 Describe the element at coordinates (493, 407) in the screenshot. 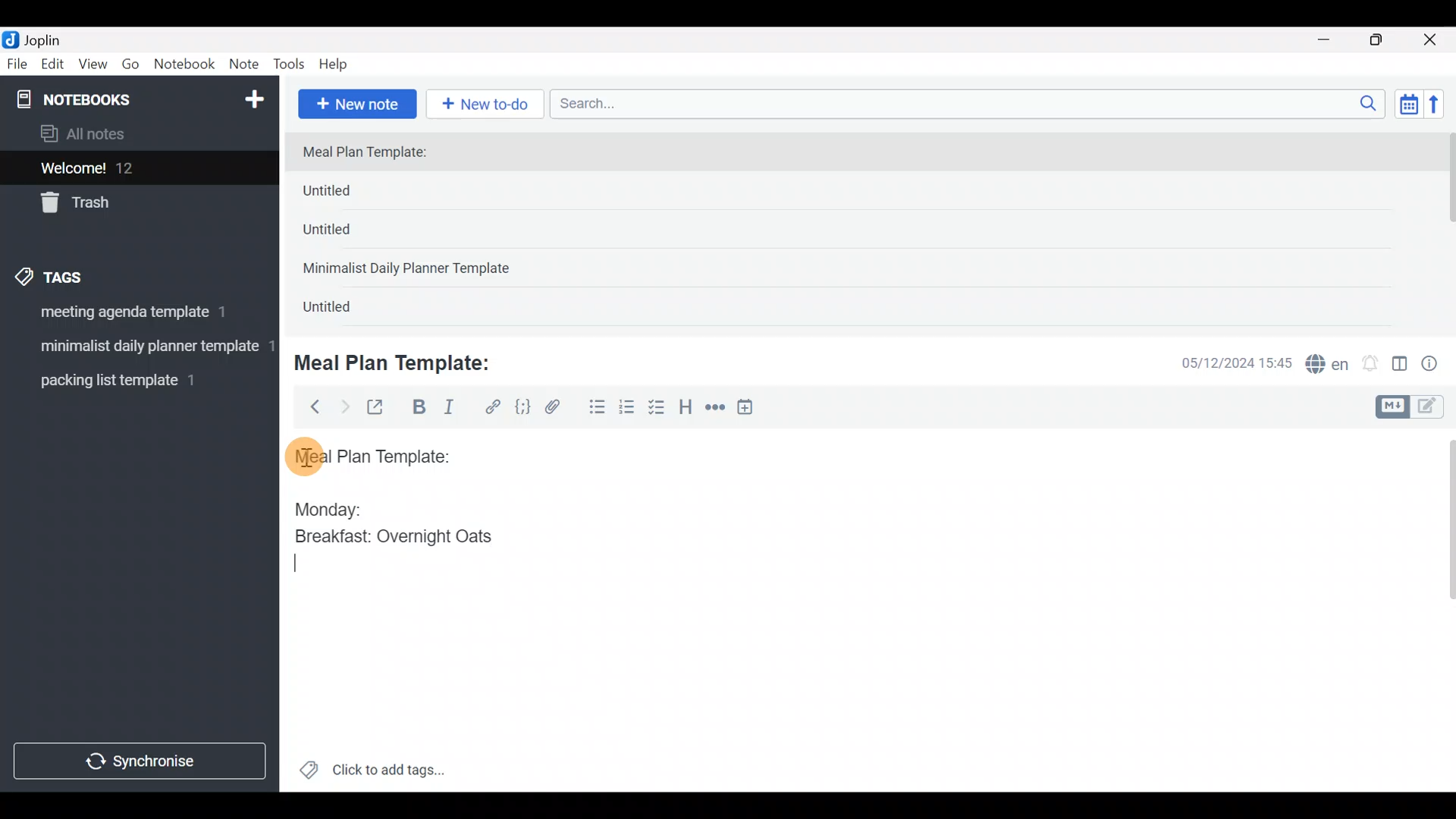

I see `Hyperlink` at that location.